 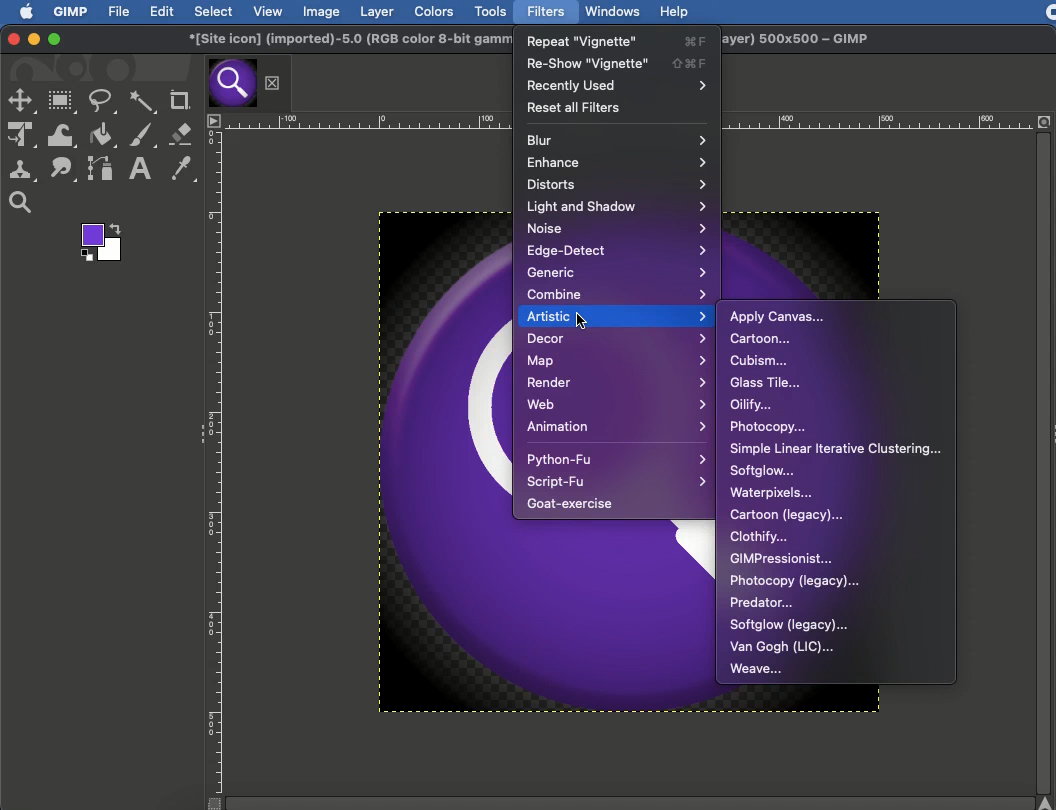 What do you see at coordinates (617, 227) in the screenshot?
I see `Noise` at bounding box center [617, 227].